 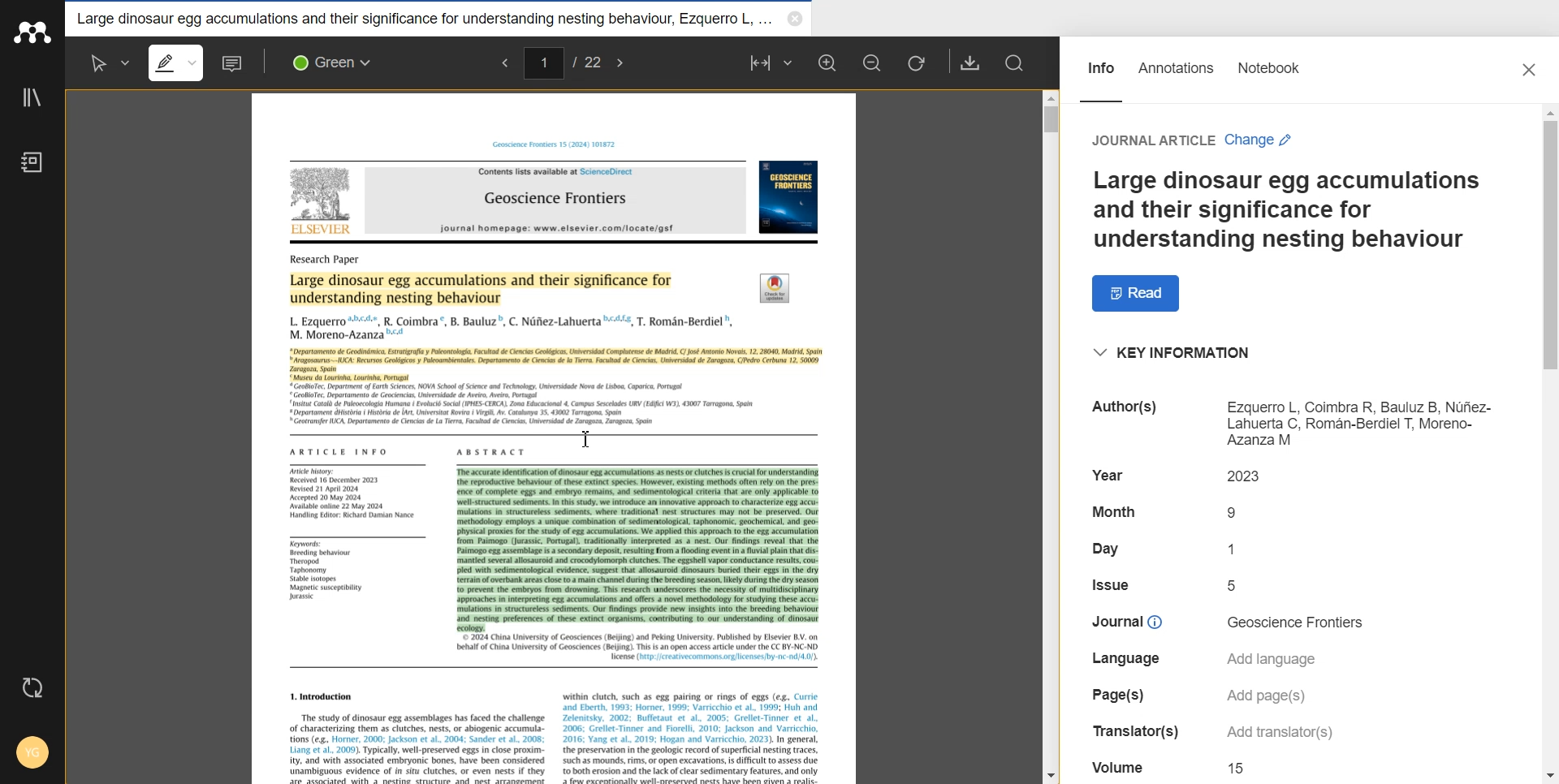 I want to click on Select text, so click(x=106, y=62).